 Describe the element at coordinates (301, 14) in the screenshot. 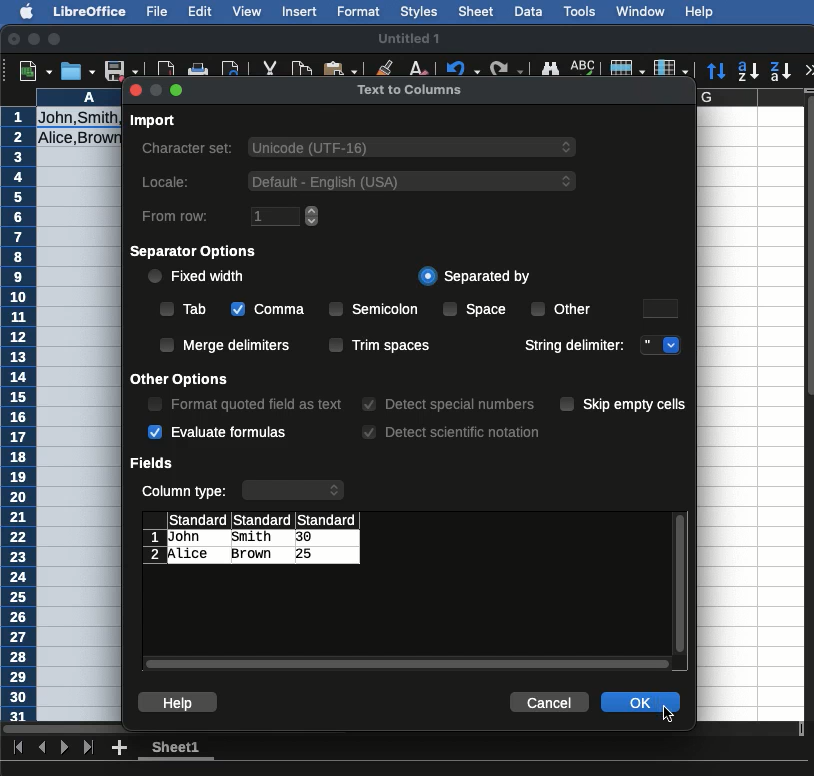

I see `Insert` at that location.